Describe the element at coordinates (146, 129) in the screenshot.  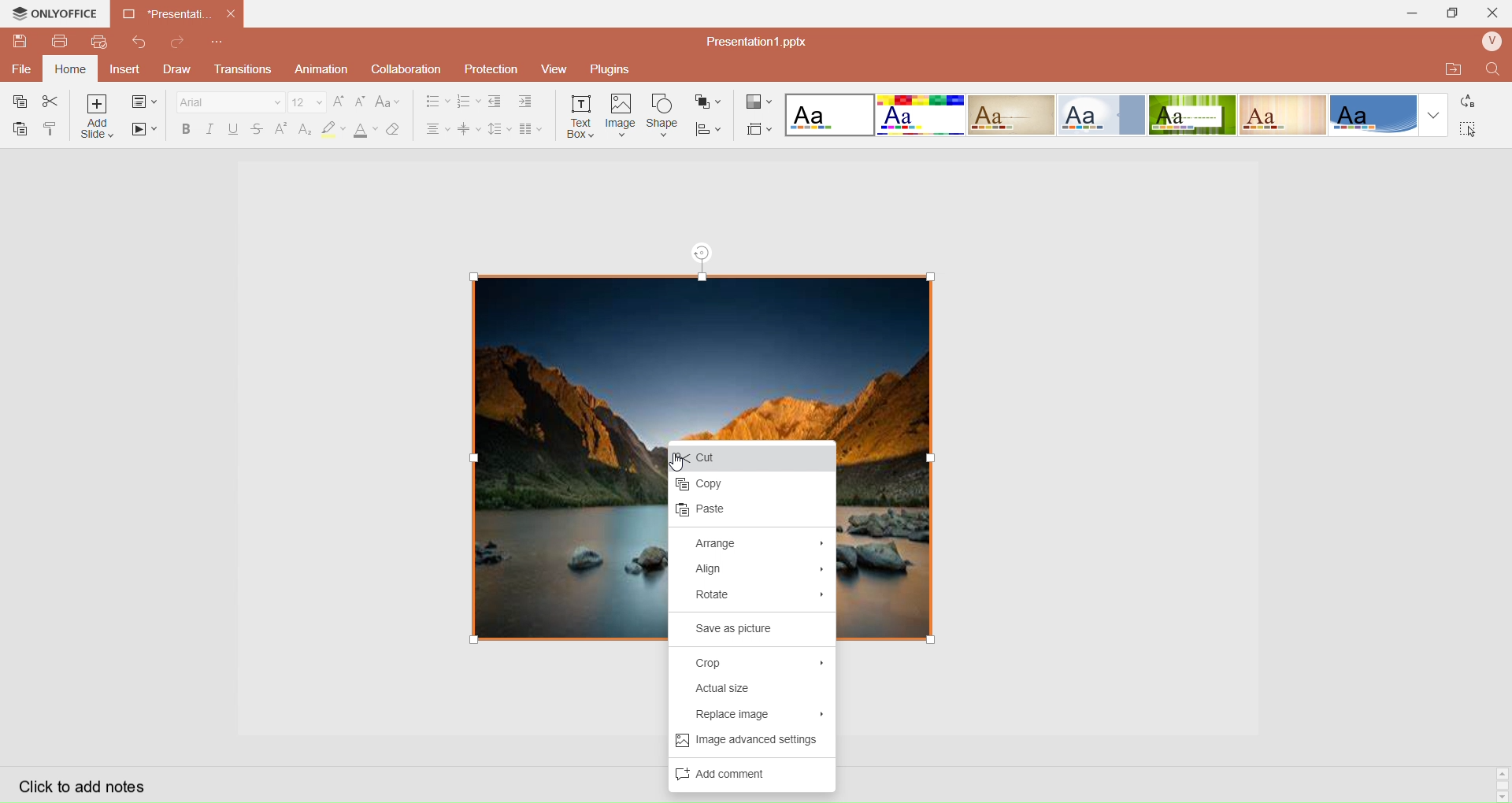
I see `Start SlideShow` at that location.